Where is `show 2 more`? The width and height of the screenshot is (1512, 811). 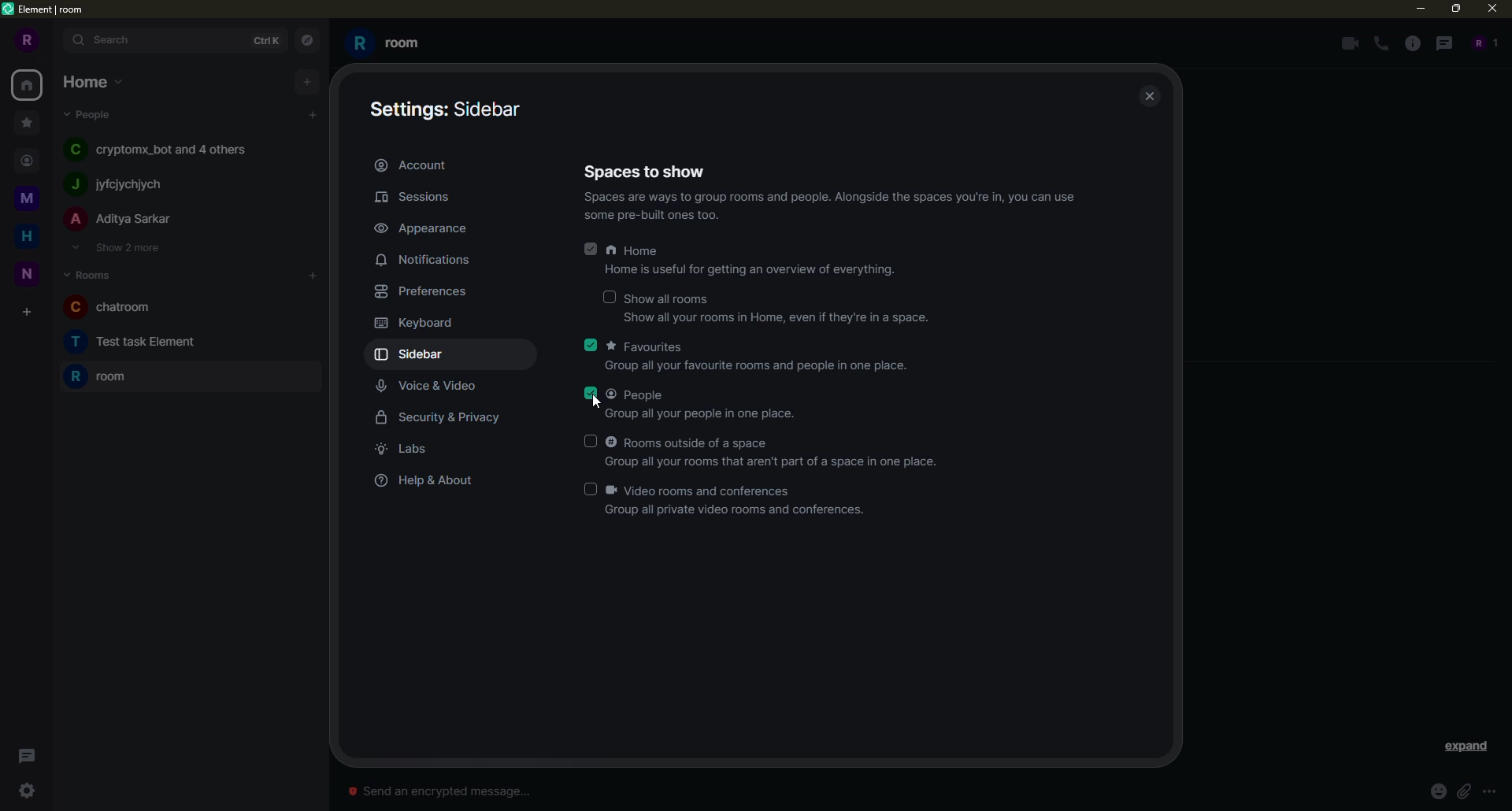 show 2 more is located at coordinates (120, 249).